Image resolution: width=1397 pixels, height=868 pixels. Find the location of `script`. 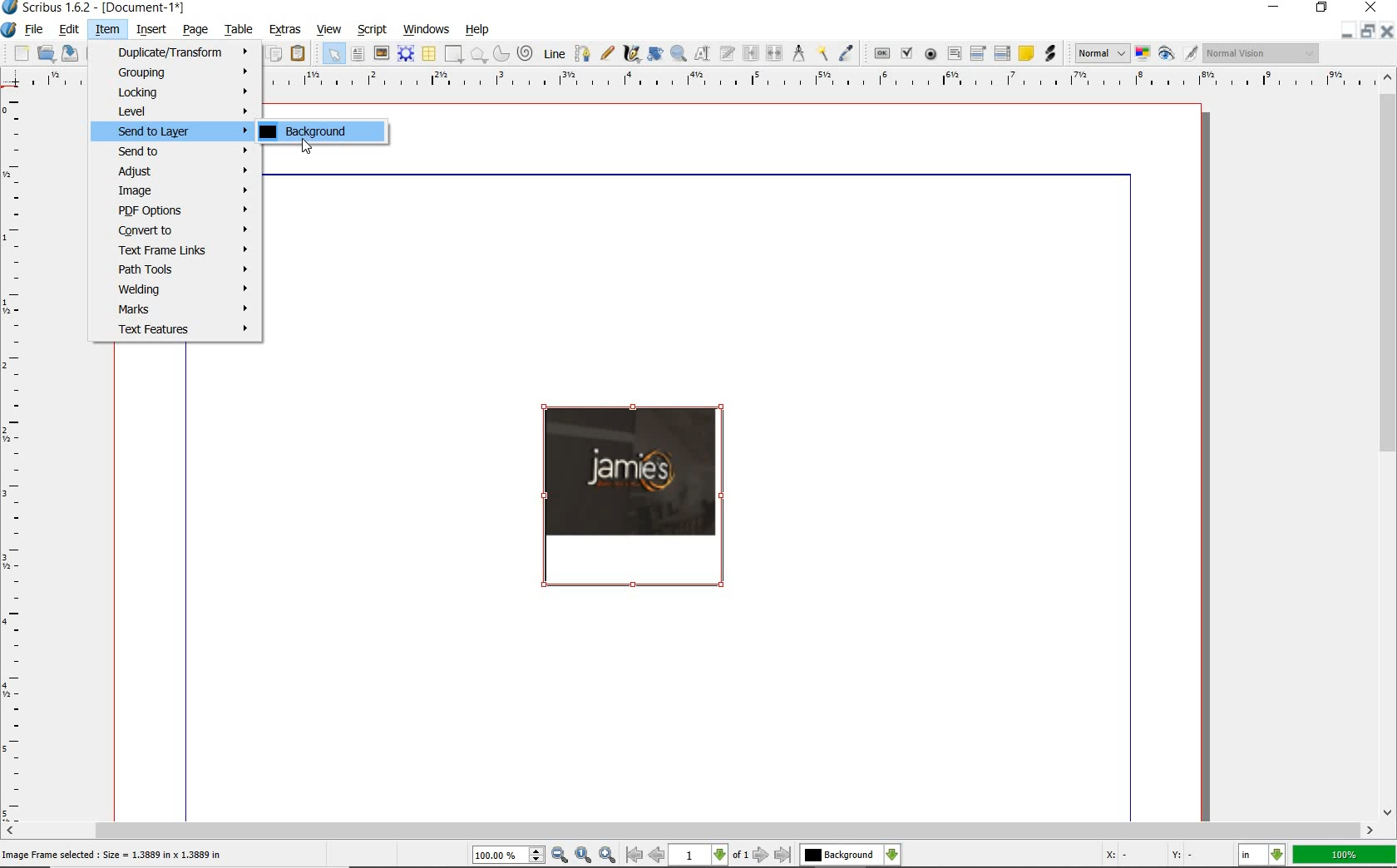

script is located at coordinates (373, 29).